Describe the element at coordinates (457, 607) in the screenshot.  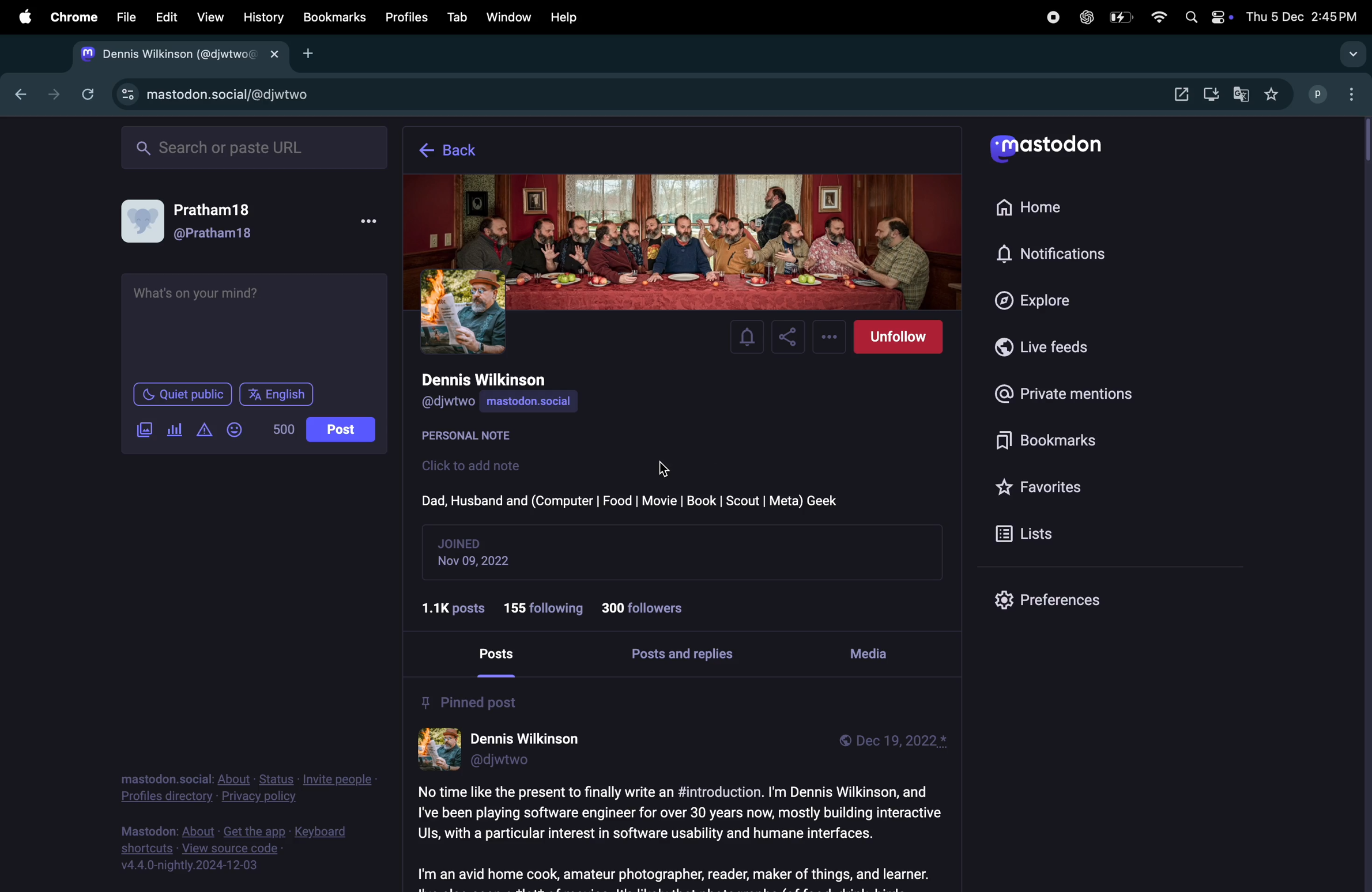
I see `1.1 k post` at that location.